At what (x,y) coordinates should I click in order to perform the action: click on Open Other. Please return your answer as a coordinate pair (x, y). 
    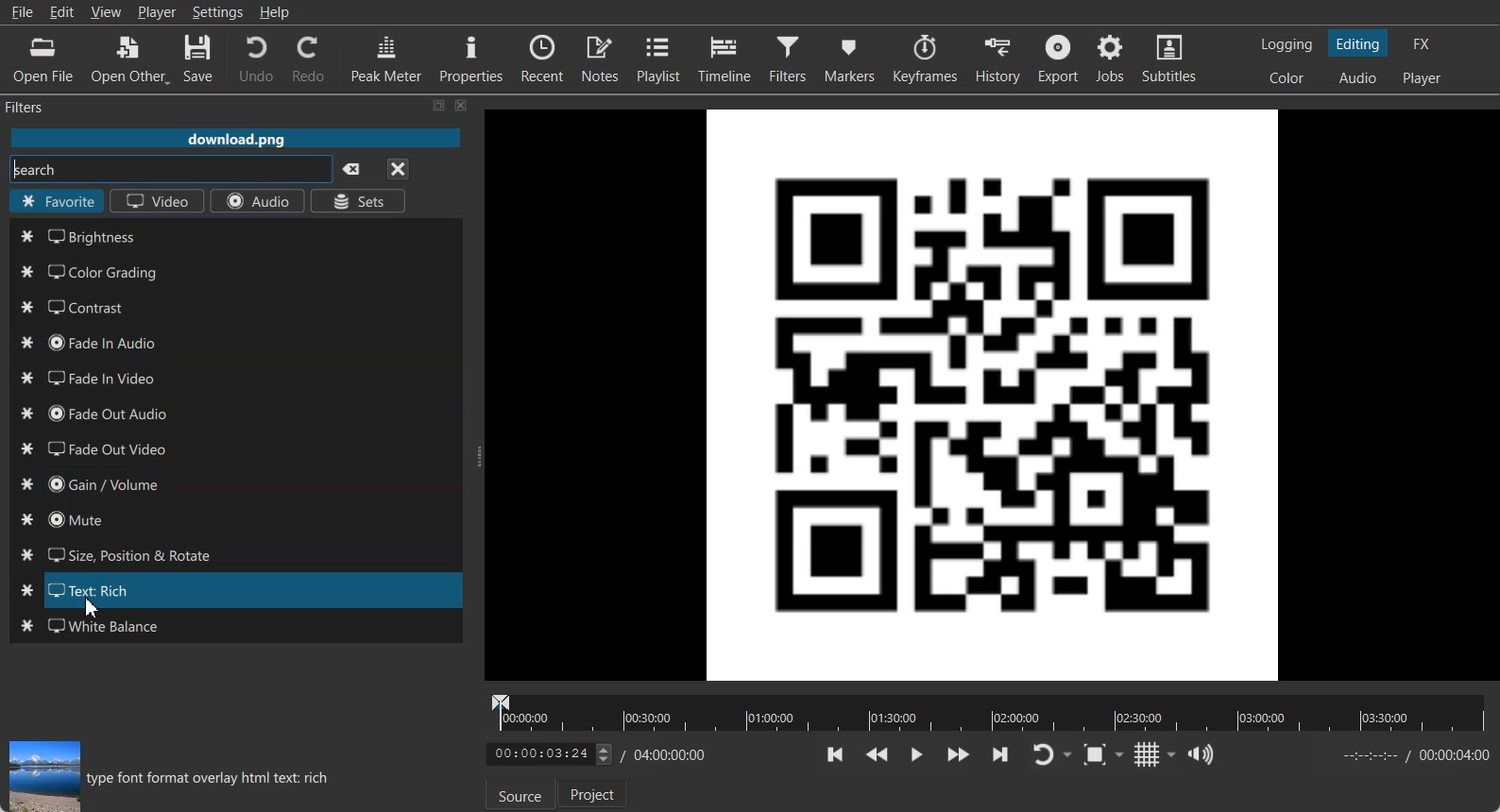
    Looking at the image, I should click on (130, 59).